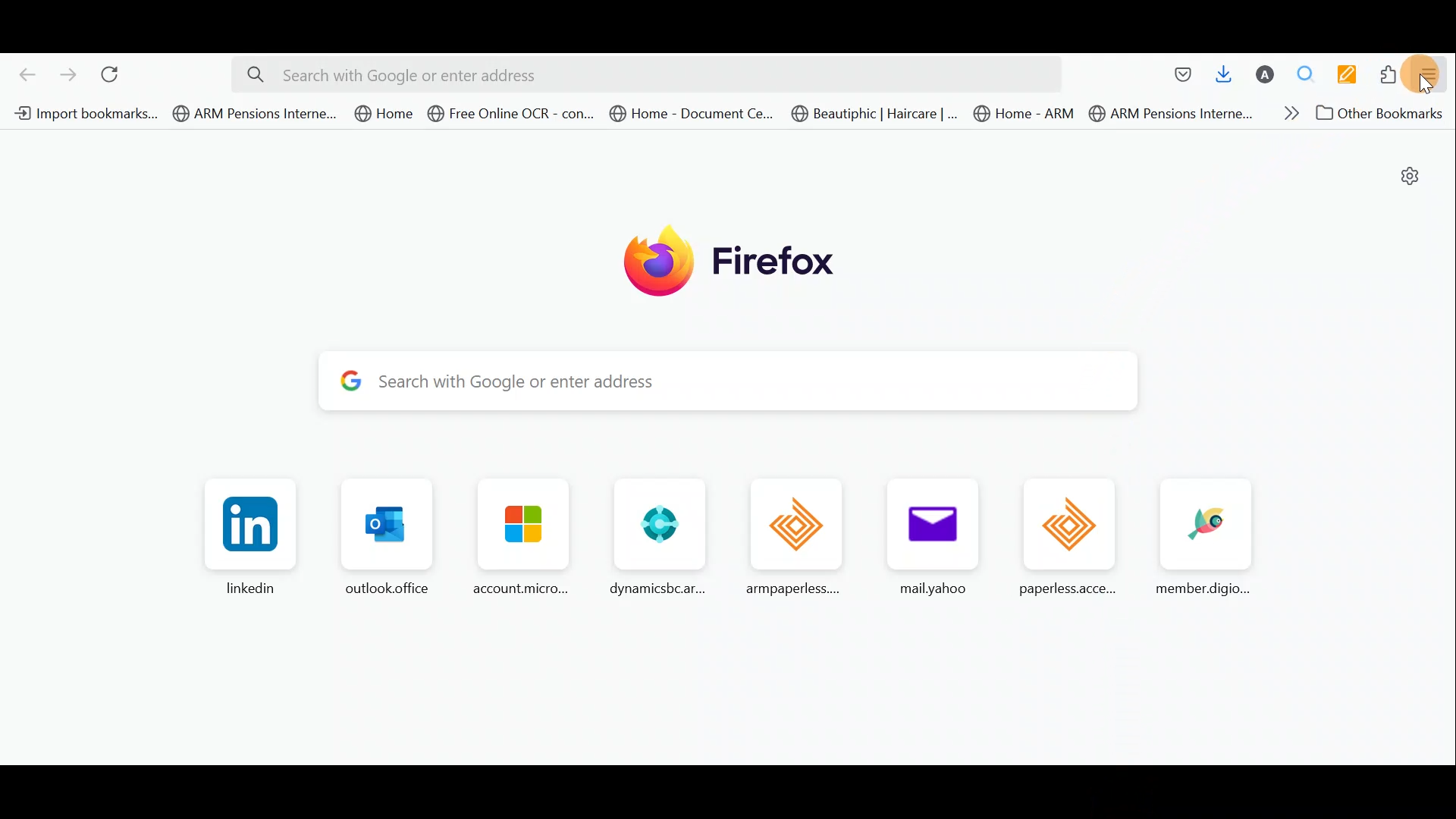 The height and width of the screenshot is (819, 1456). I want to click on Firefox logo, so click(712, 259).